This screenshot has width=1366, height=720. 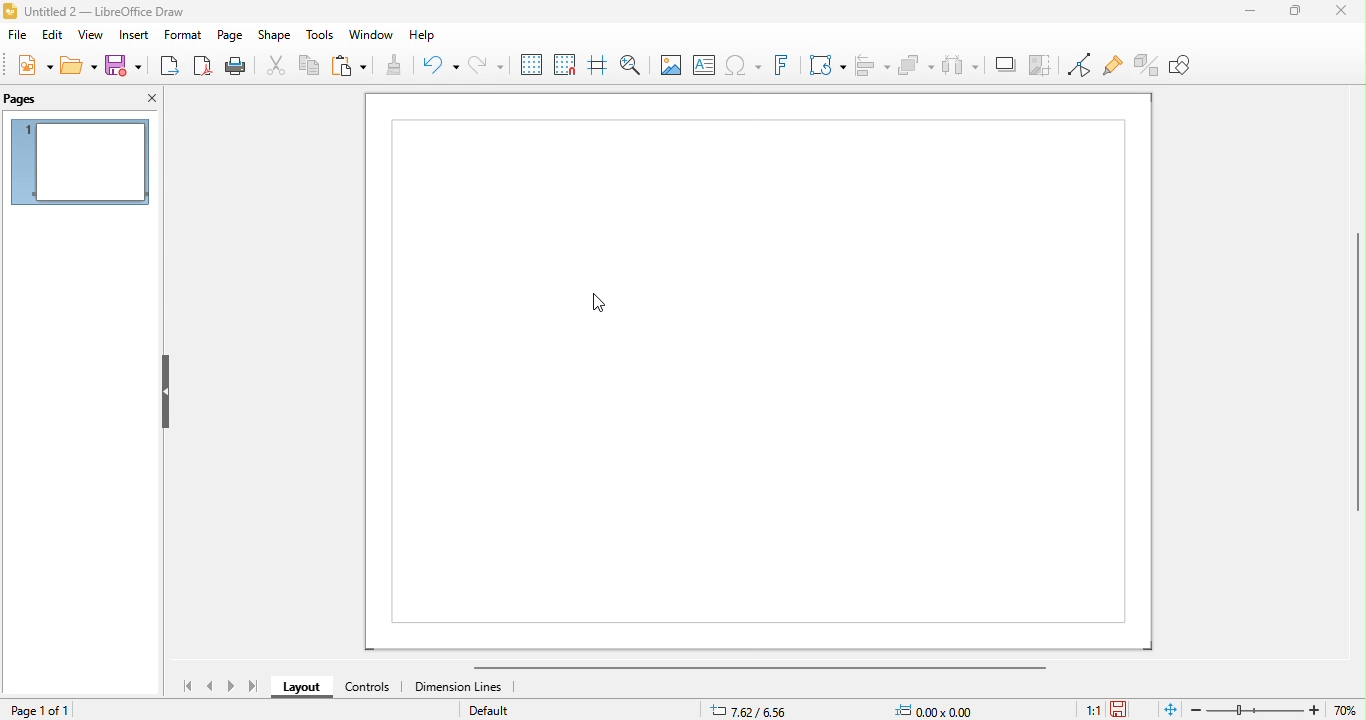 I want to click on snap to grid, so click(x=564, y=64).